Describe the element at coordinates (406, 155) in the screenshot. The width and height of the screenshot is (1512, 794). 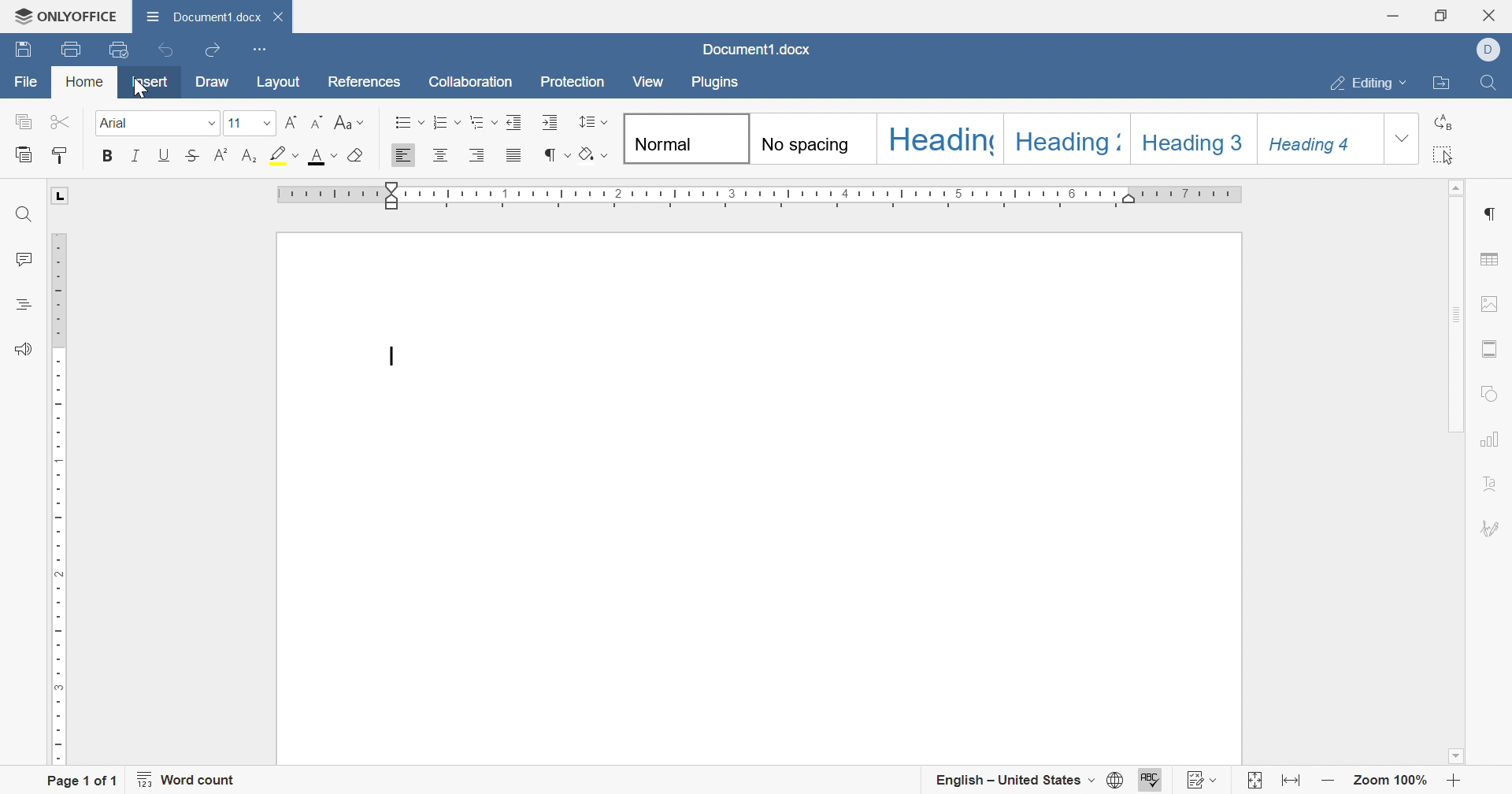
I see `Align Left` at that location.